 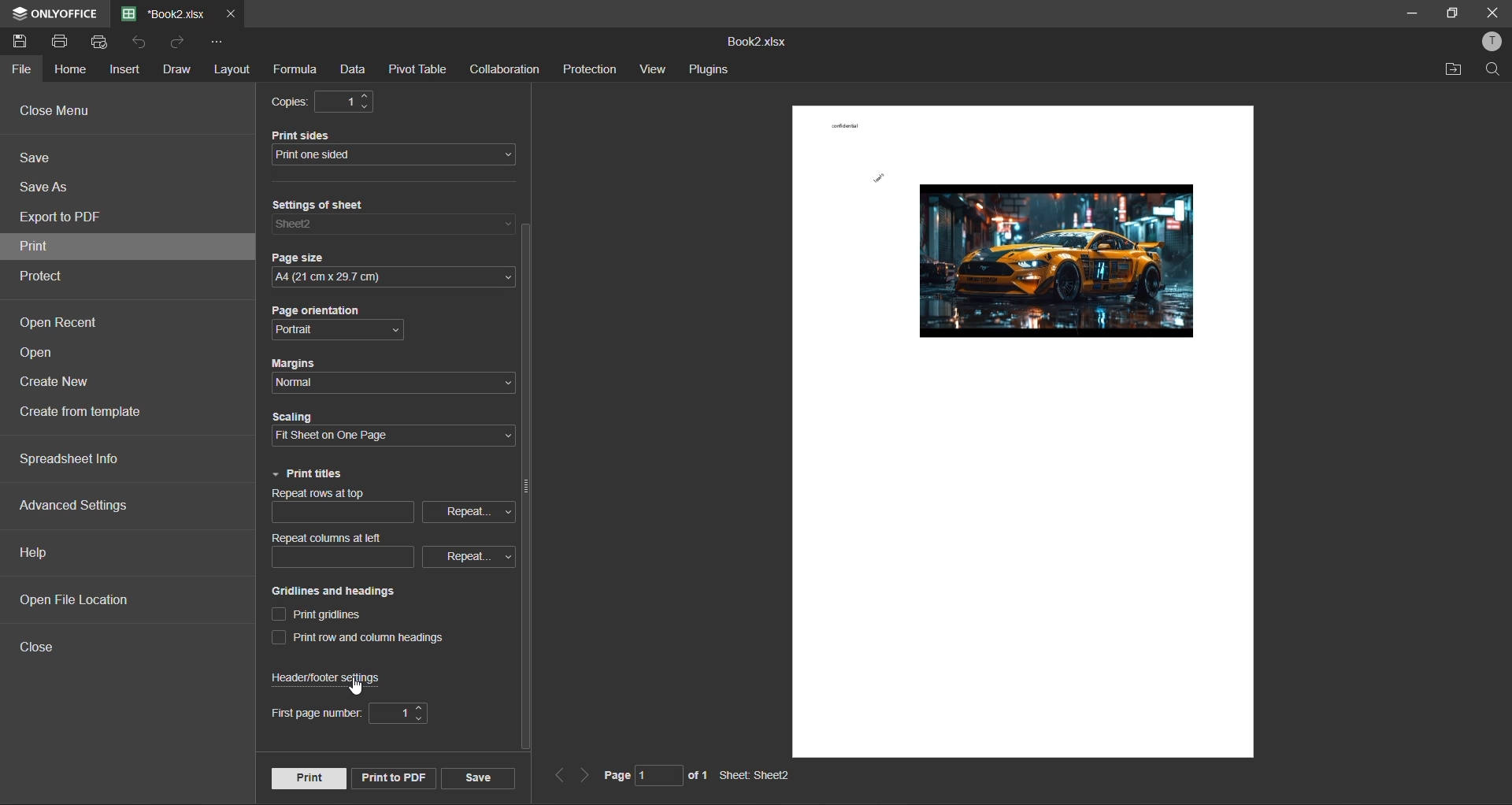 What do you see at coordinates (392, 278) in the screenshot?
I see `page size` at bounding box center [392, 278].